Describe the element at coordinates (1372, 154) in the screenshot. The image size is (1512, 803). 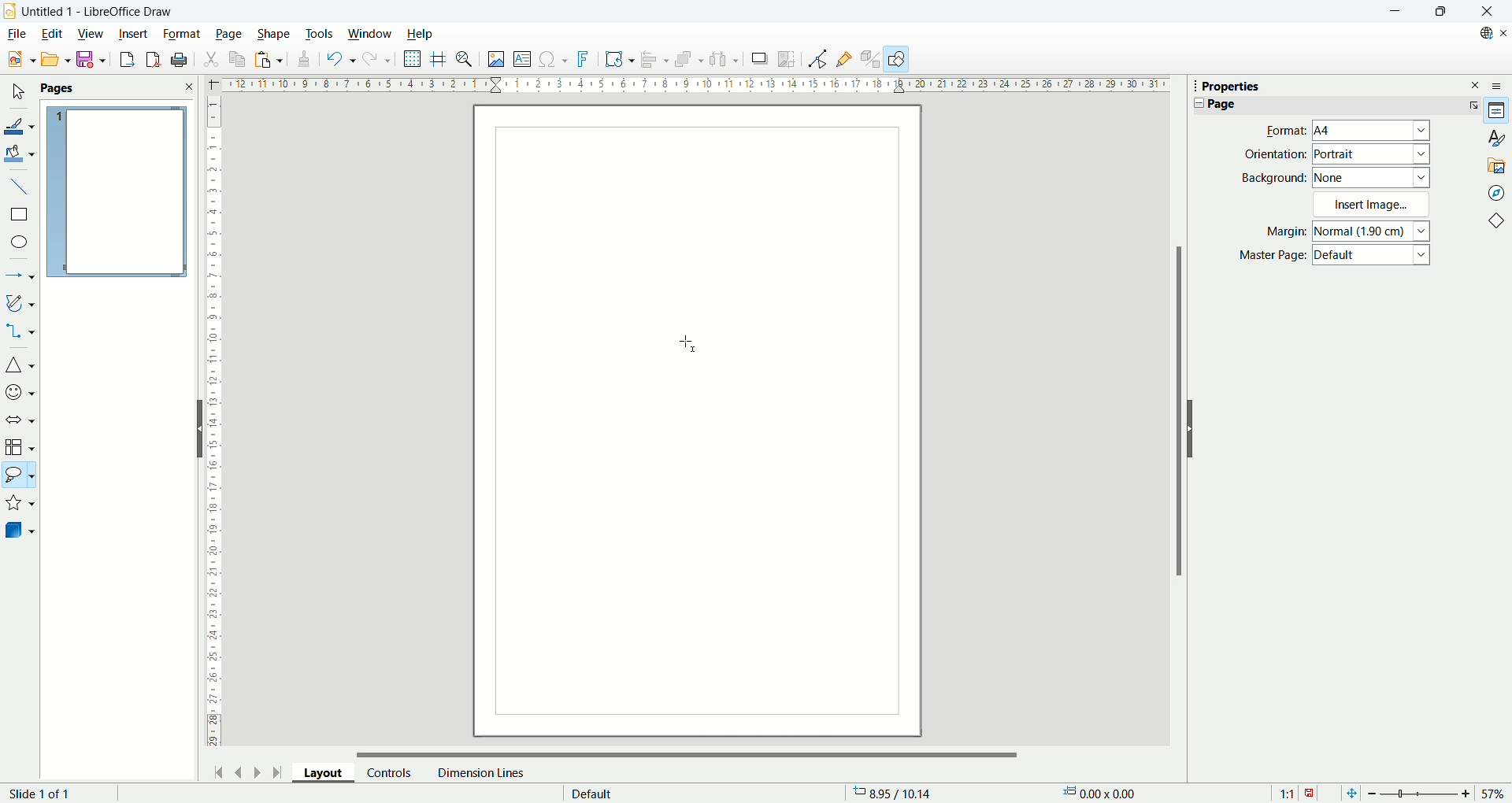
I see `Portrait` at that location.